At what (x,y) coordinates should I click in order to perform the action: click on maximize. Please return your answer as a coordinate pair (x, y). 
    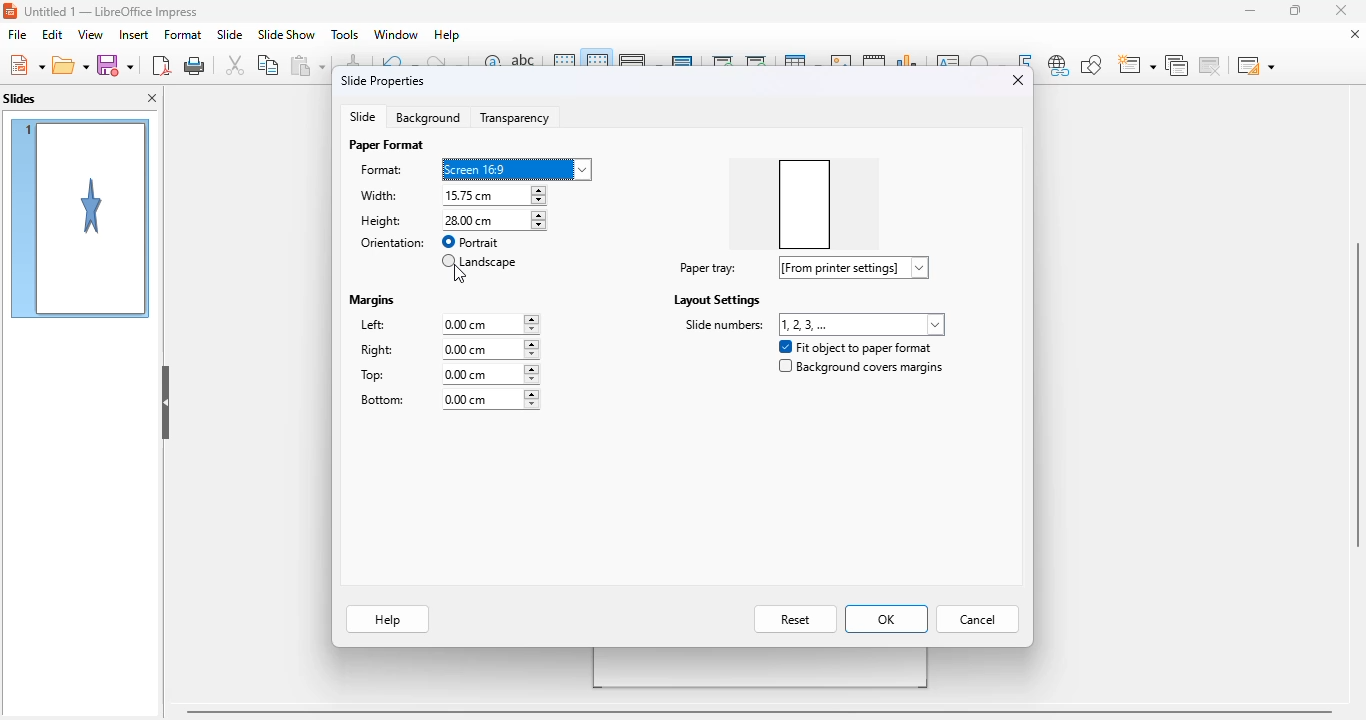
    Looking at the image, I should click on (1296, 10).